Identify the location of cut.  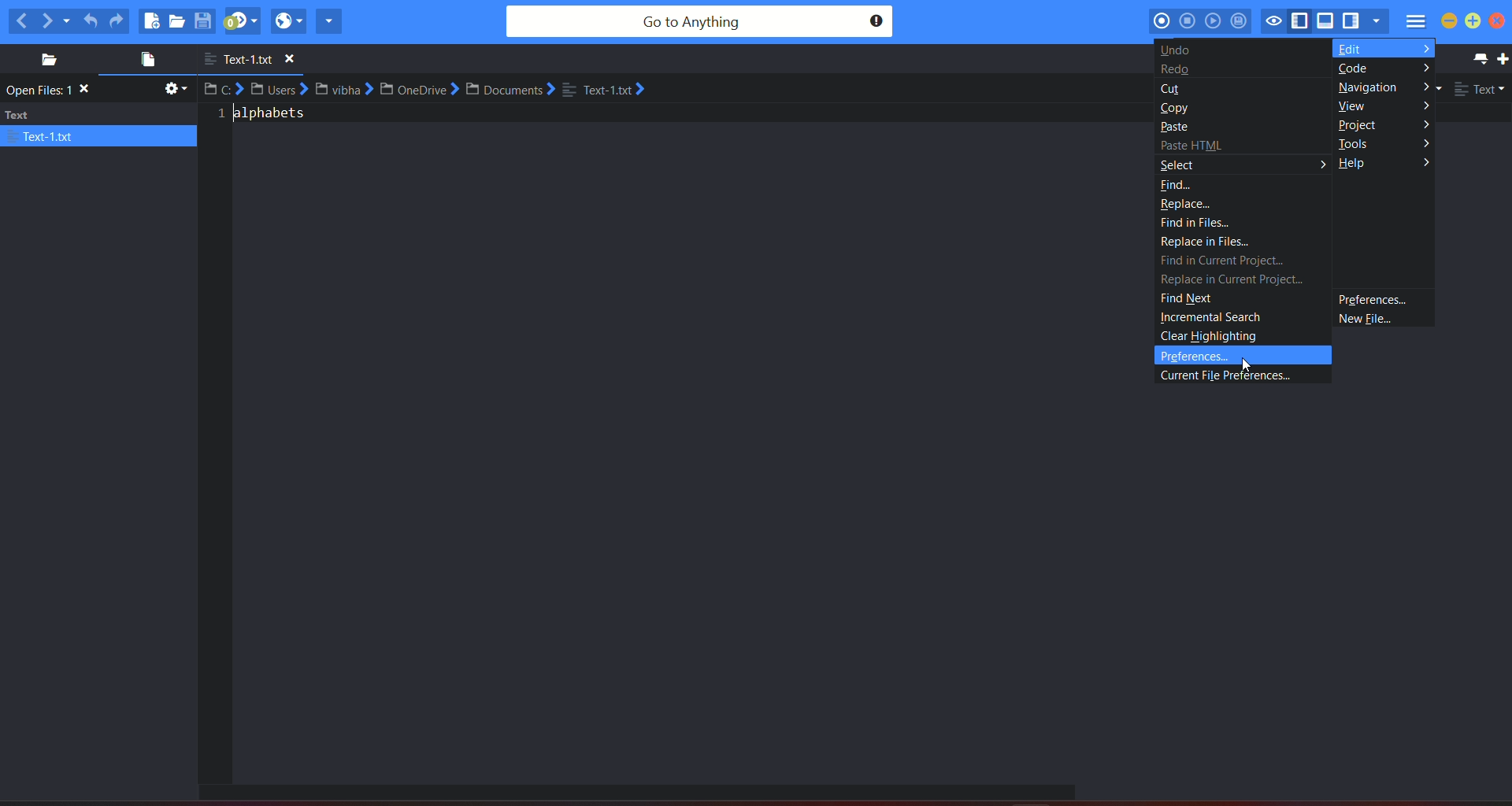
(1173, 89).